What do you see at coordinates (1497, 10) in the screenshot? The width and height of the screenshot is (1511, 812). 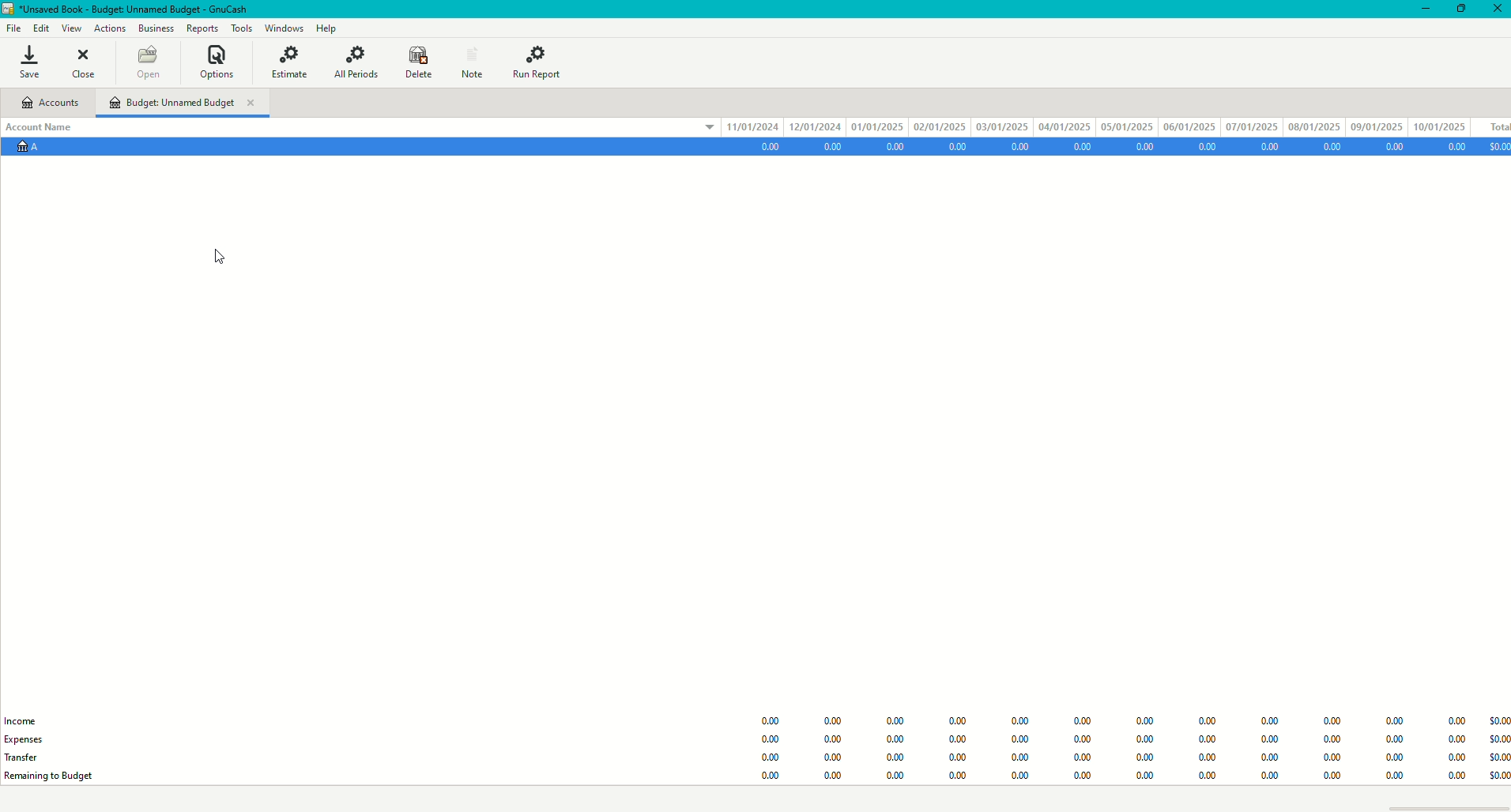 I see `Close` at bounding box center [1497, 10].